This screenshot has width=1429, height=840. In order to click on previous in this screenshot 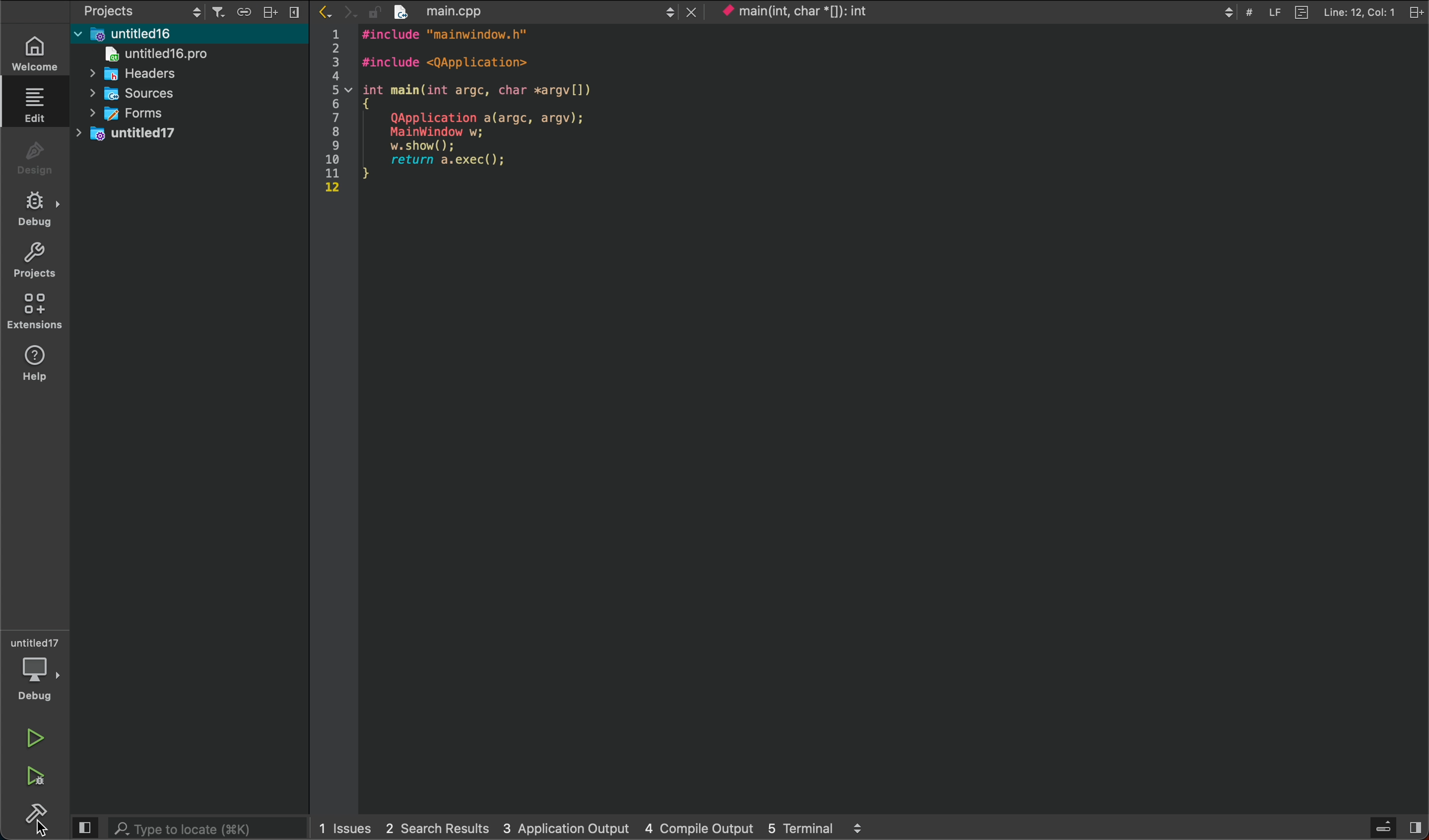, I will do `click(327, 12)`.